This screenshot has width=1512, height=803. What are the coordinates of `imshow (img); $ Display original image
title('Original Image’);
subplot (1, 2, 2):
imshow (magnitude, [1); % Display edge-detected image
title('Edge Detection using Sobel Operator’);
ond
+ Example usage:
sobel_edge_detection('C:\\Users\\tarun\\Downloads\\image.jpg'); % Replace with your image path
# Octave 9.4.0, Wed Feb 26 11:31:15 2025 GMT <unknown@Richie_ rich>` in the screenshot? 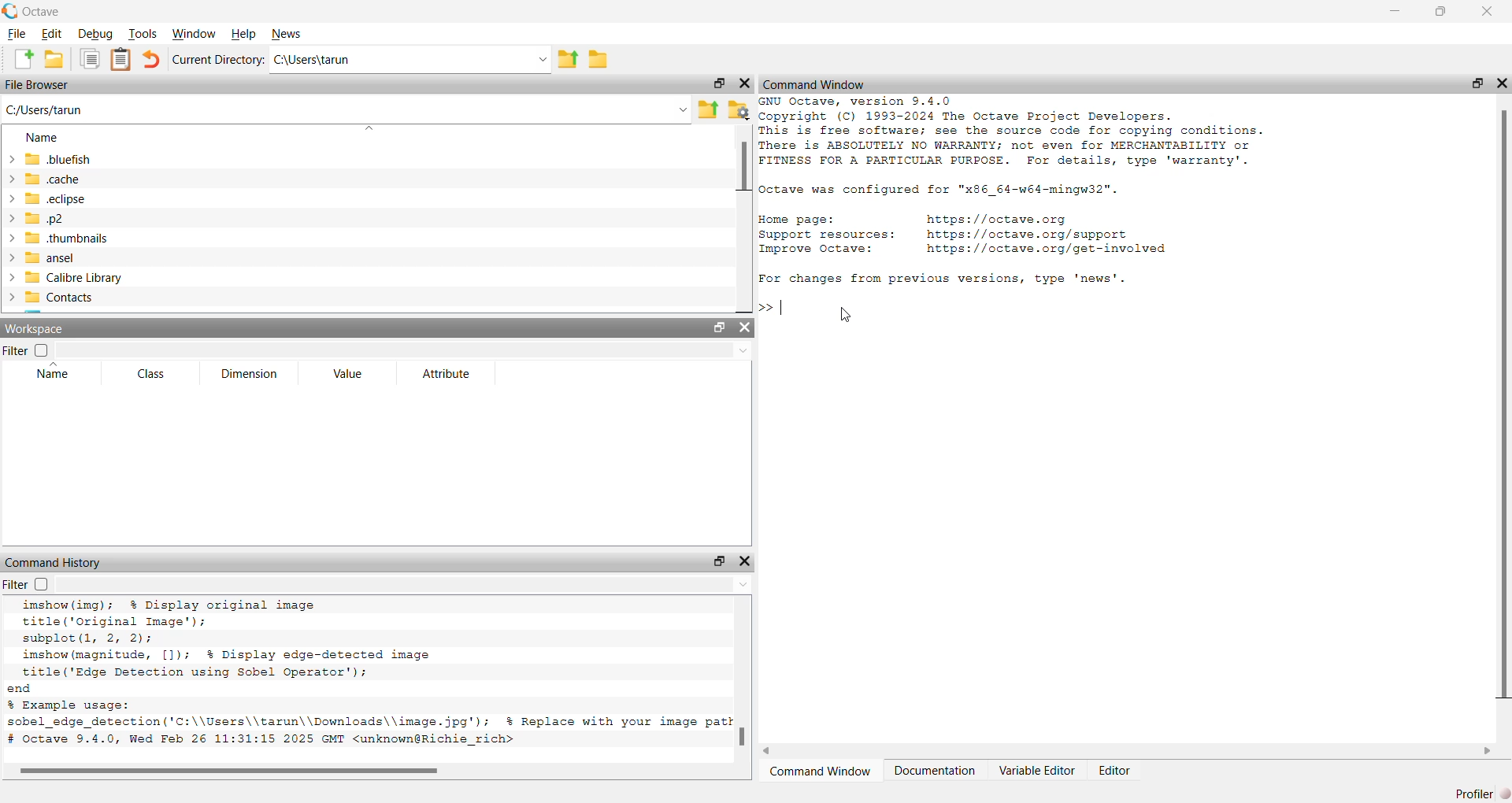 It's located at (371, 677).